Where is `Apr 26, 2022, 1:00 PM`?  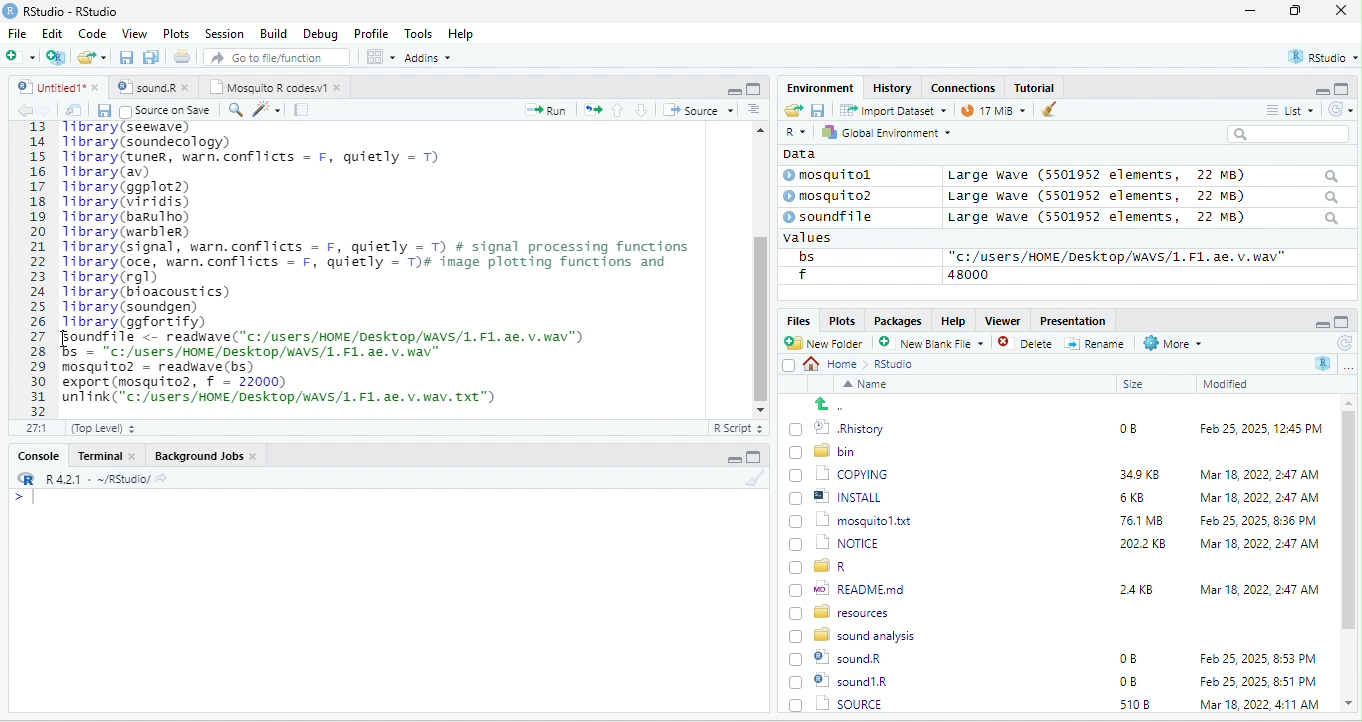
Apr 26, 2022, 1:00 PM is located at coordinates (1260, 706).